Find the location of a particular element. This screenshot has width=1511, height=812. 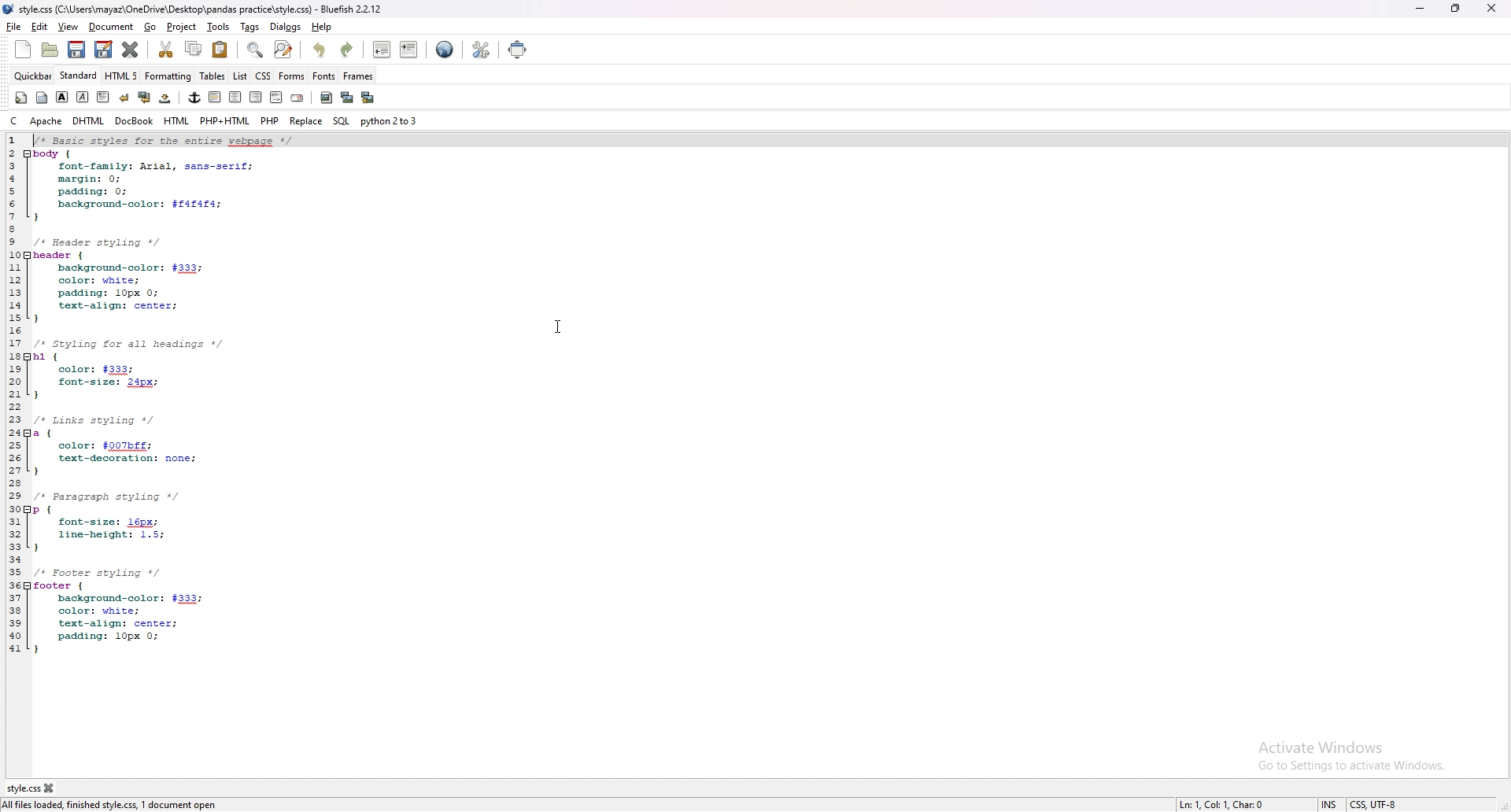

tools is located at coordinates (219, 28).